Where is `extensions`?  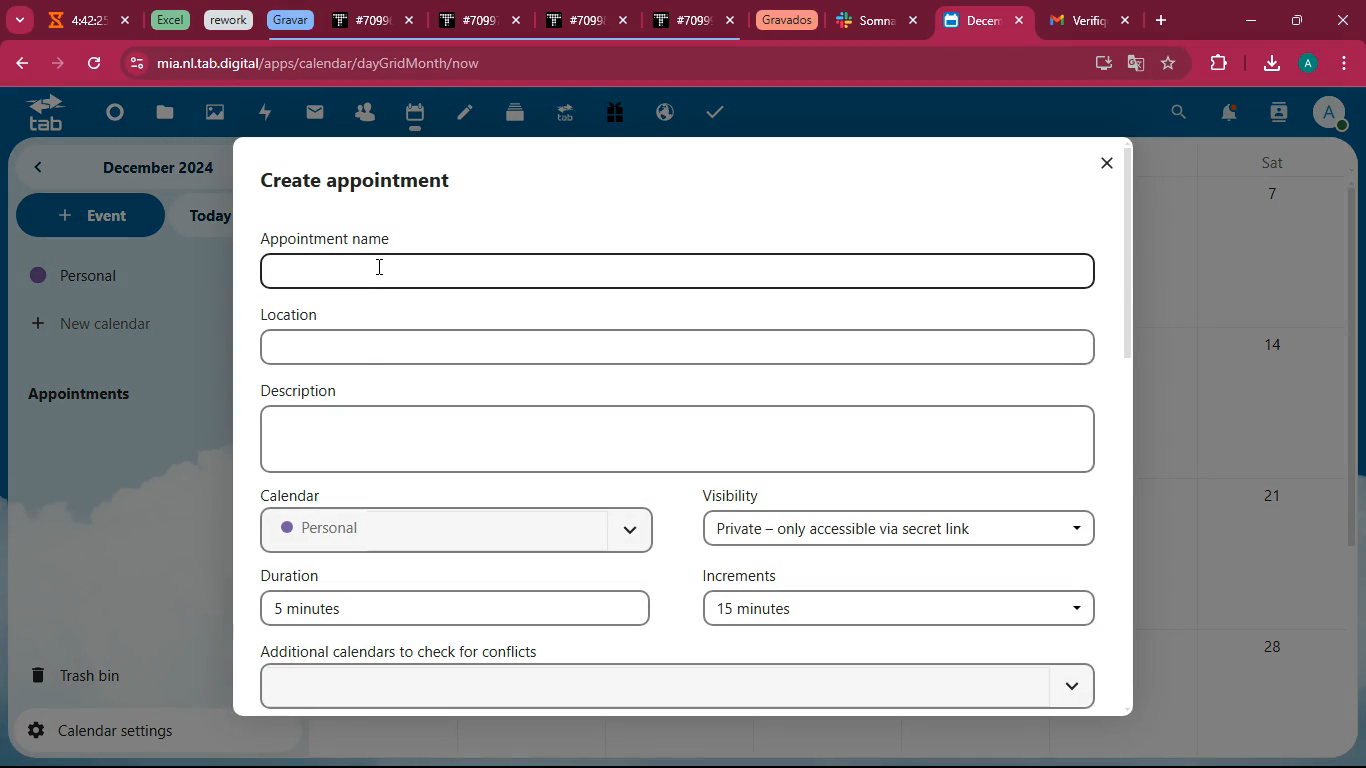
extensions is located at coordinates (1215, 64).